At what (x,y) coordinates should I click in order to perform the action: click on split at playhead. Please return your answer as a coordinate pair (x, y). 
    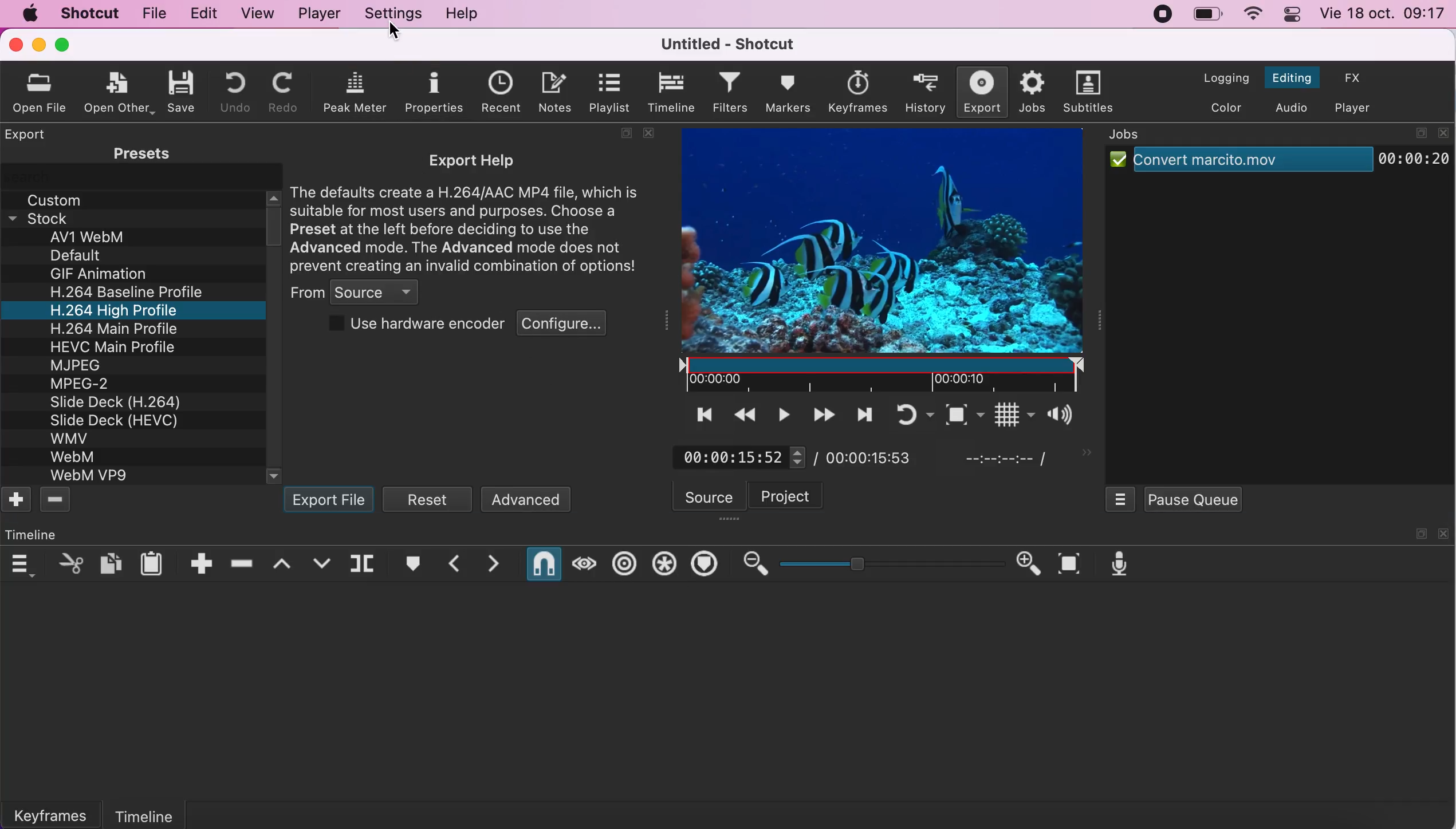
    Looking at the image, I should click on (366, 566).